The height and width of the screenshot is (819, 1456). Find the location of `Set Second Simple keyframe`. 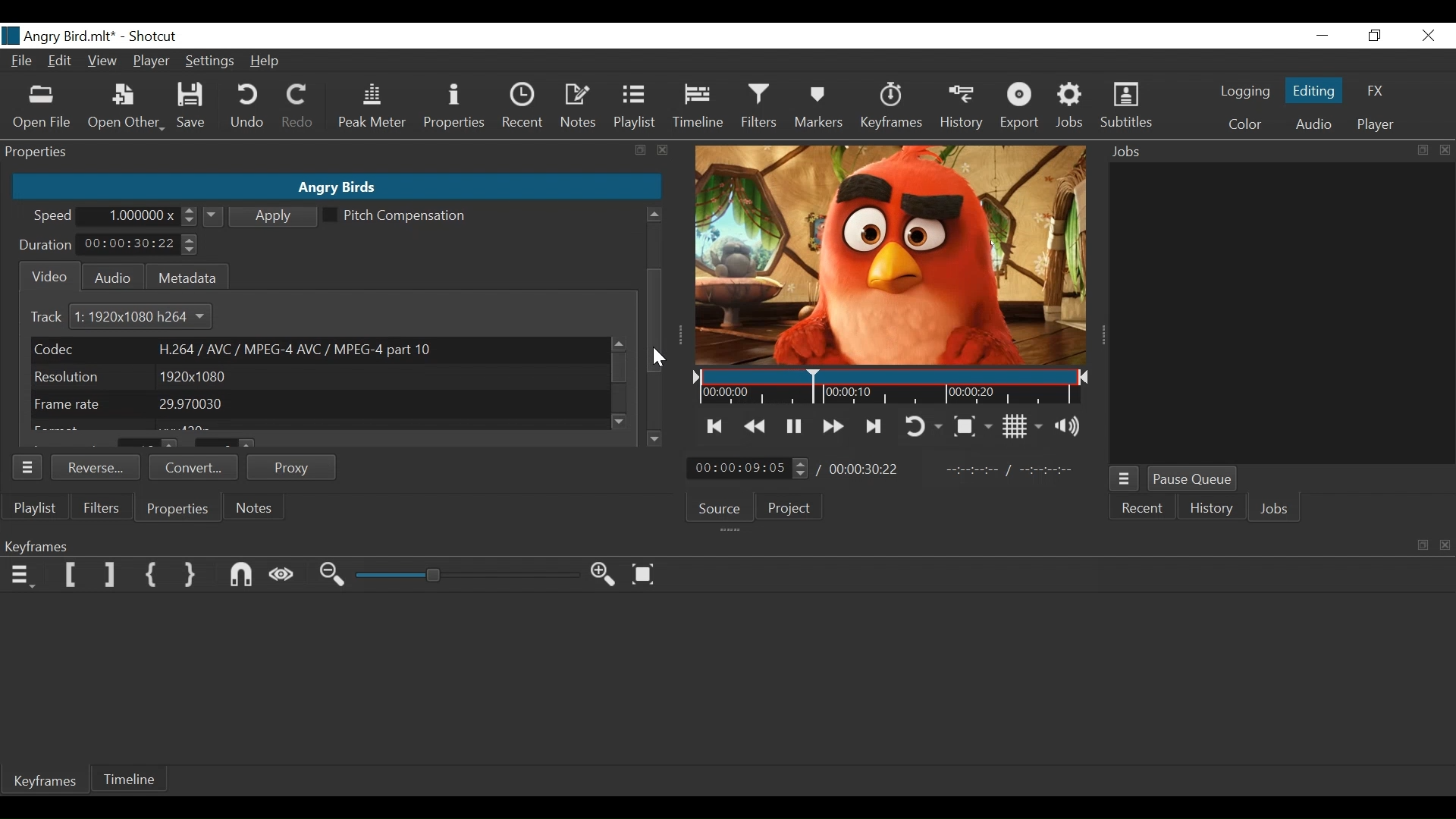

Set Second Simple keyframe is located at coordinates (193, 576).